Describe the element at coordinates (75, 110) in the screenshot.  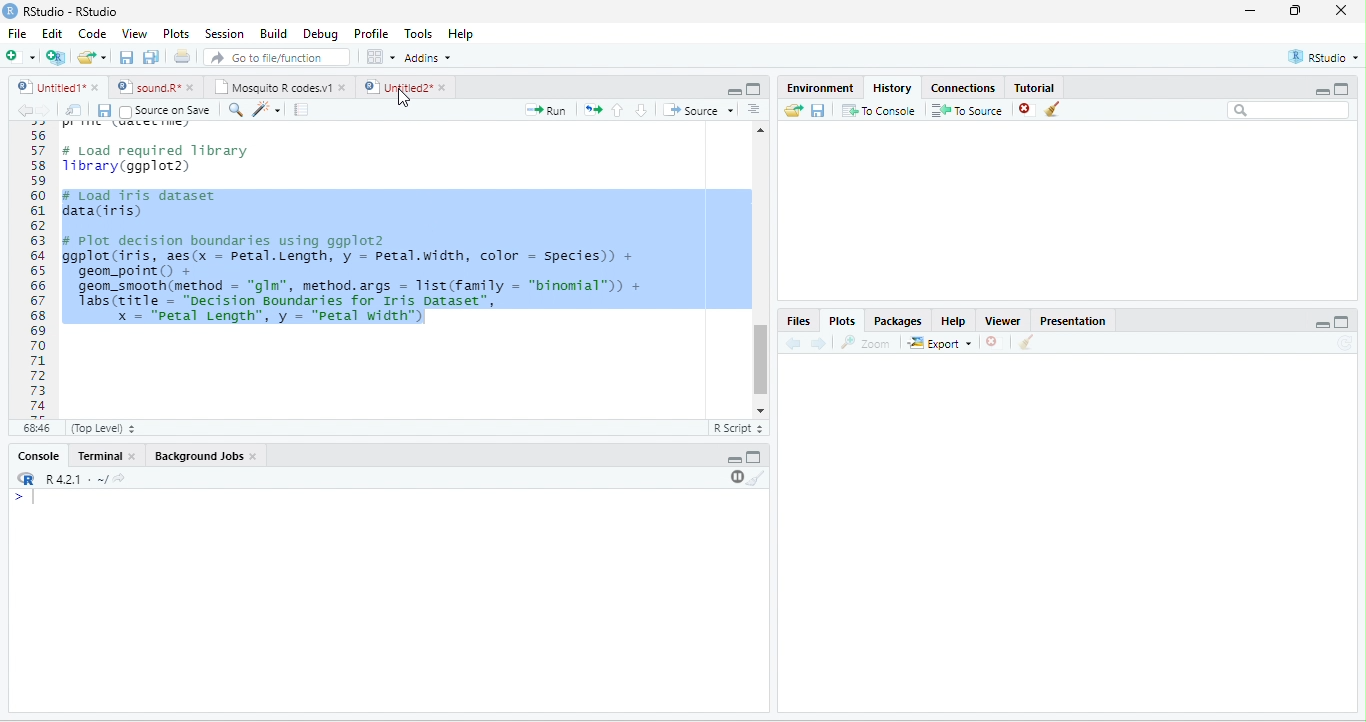
I see `show in new window` at that location.